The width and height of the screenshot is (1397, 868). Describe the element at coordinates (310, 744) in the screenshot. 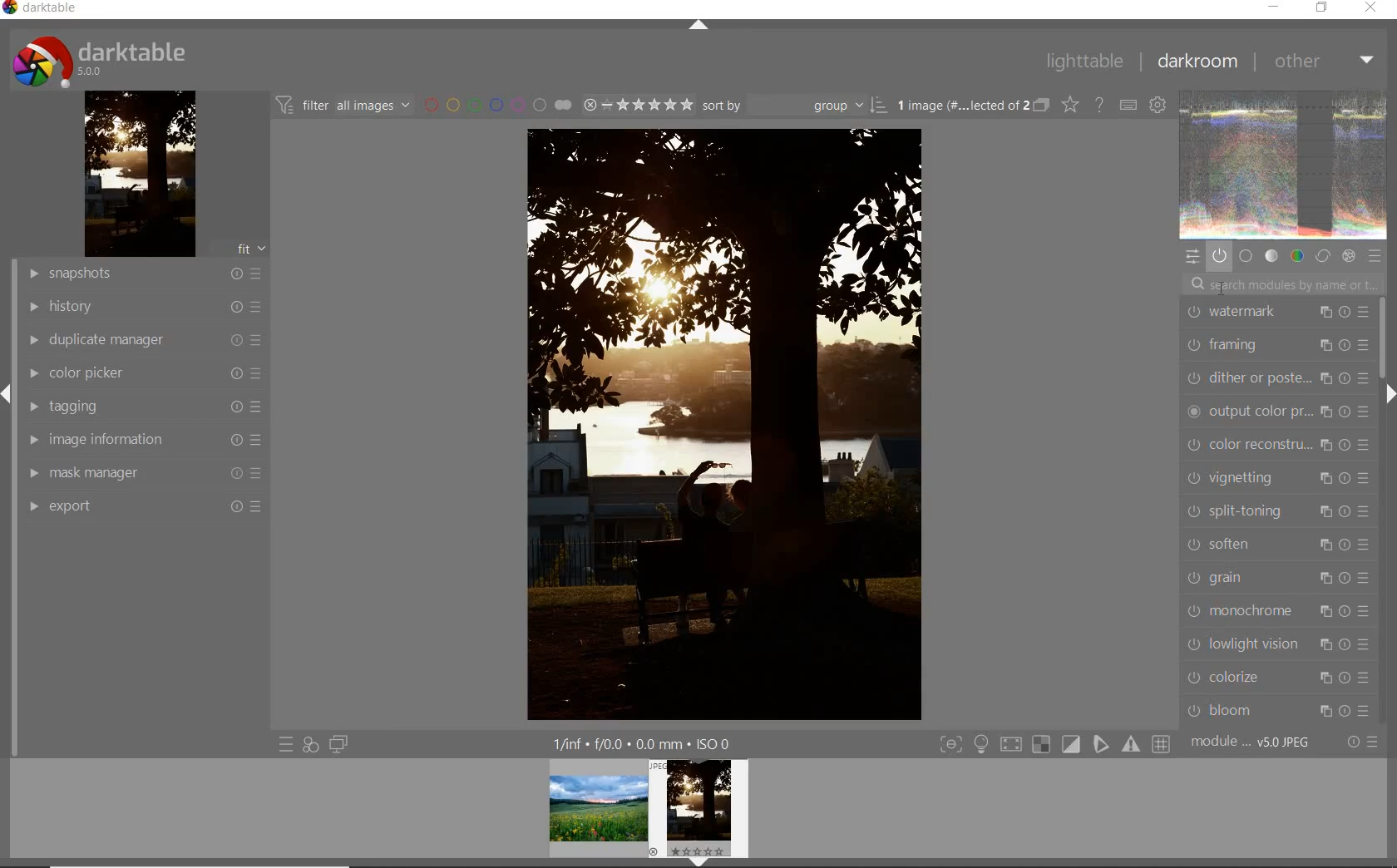

I see `quick access for applying any of your styles` at that location.